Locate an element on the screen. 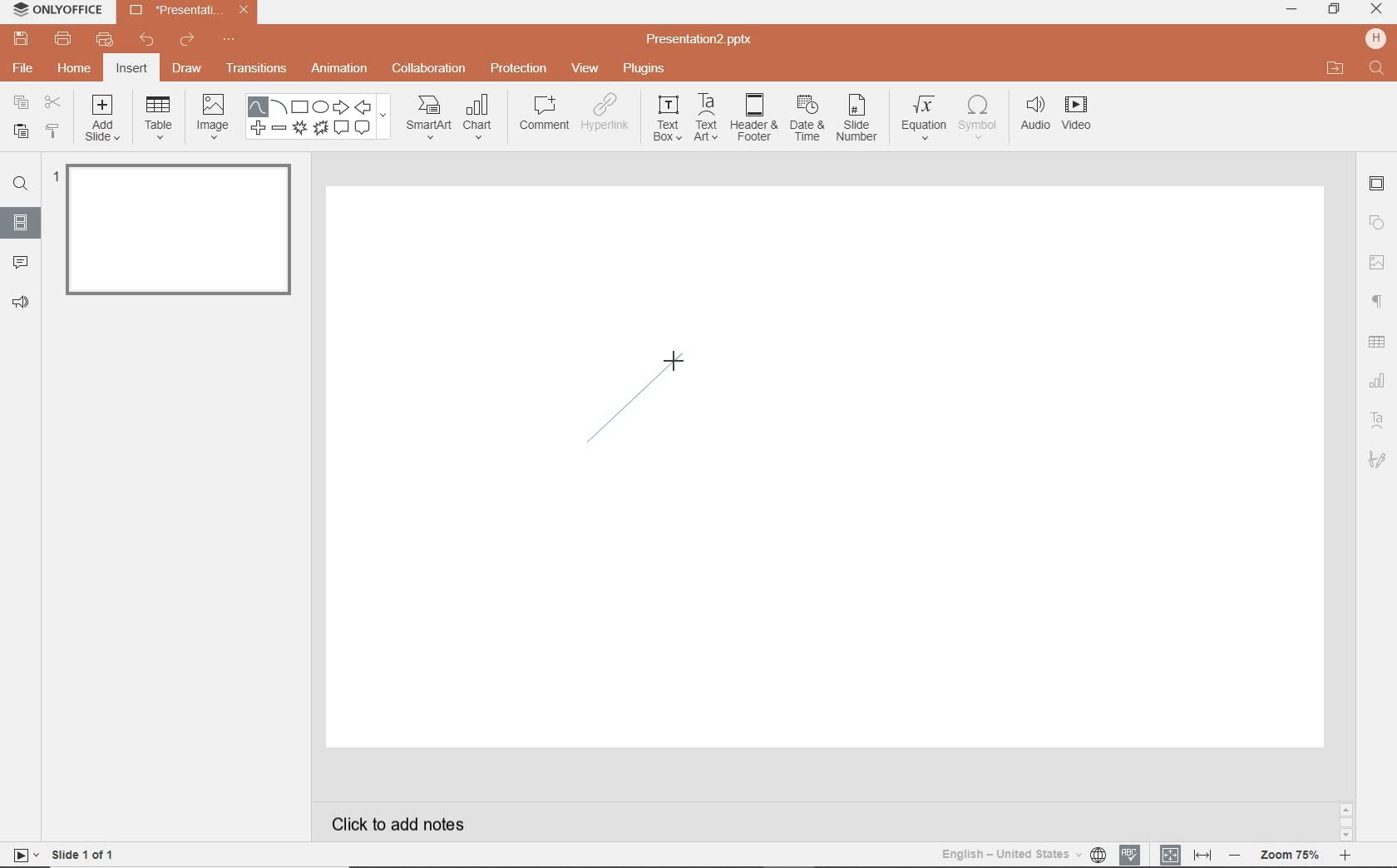 The width and height of the screenshot is (1397, 868). EQUATION is located at coordinates (924, 116).